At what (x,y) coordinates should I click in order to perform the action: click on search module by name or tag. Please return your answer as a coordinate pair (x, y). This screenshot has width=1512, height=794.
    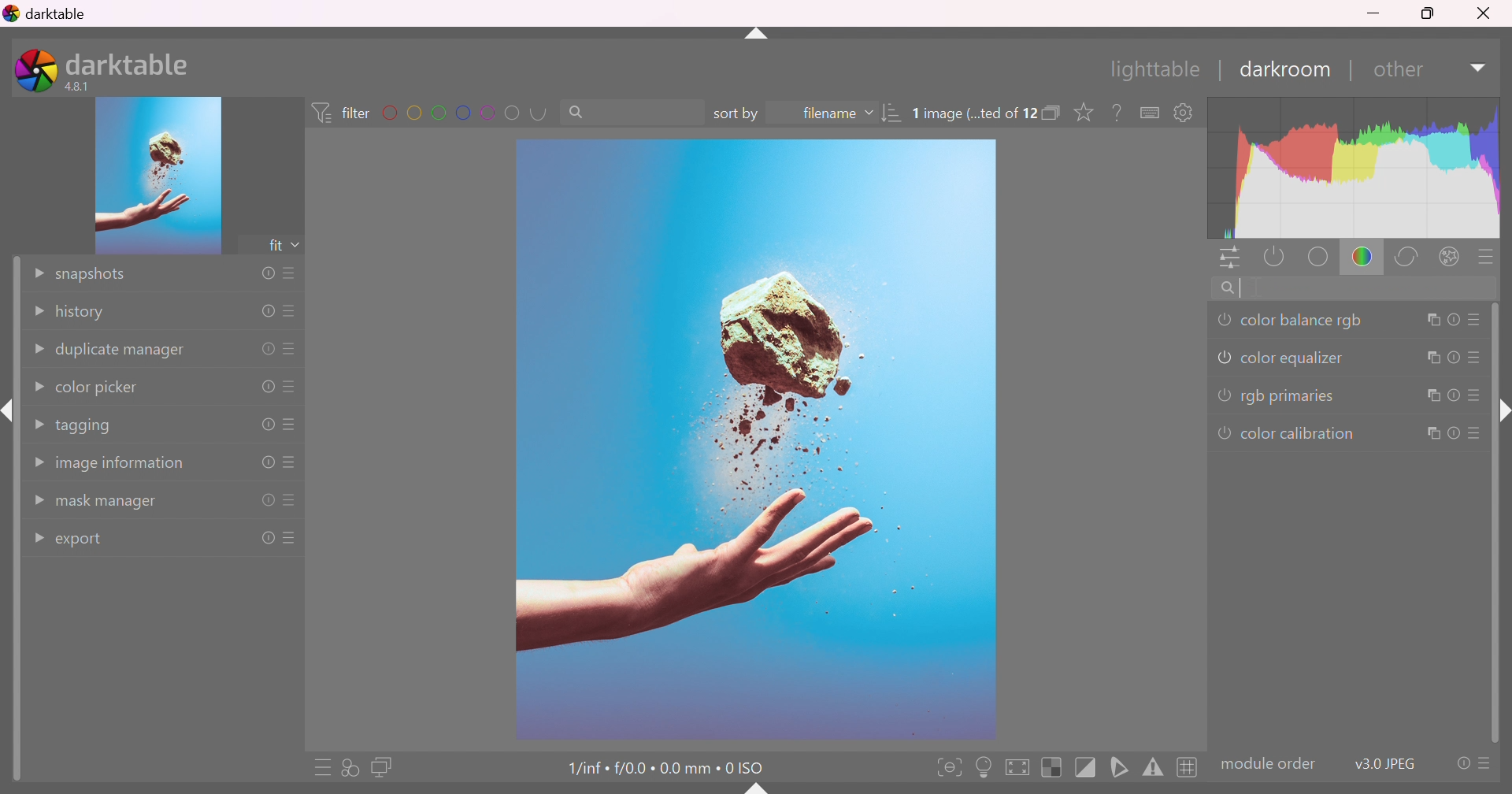
    Looking at the image, I should click on (1355, 287).